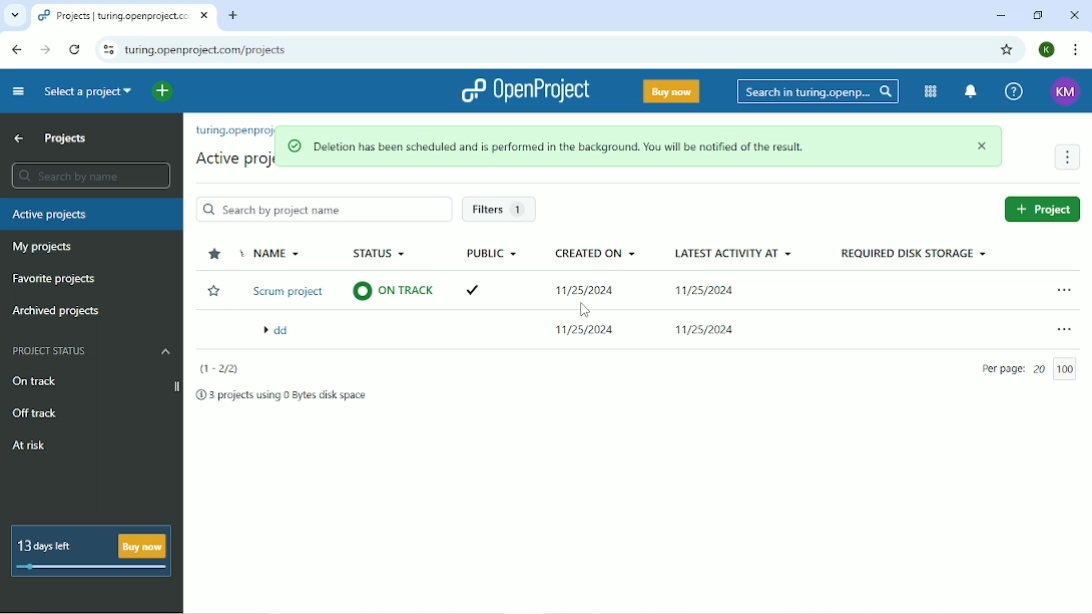  What do you see at coordinates (493, 253) in the screenshot?
I see `Public` at bounding box center [493, 253].